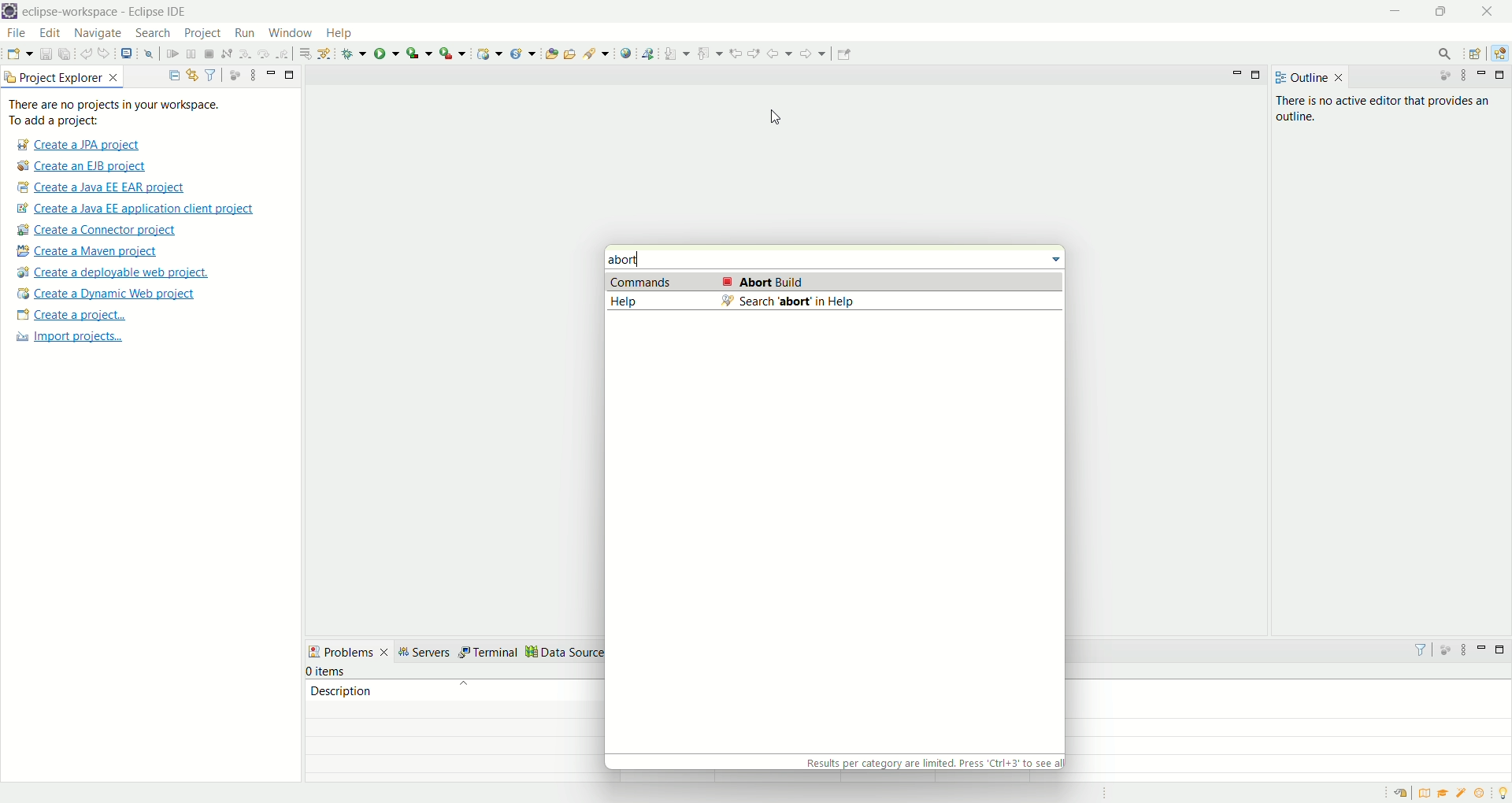 The width and height of the screenshot is (1512, 803). I want to click on forward, so click(813, 52).